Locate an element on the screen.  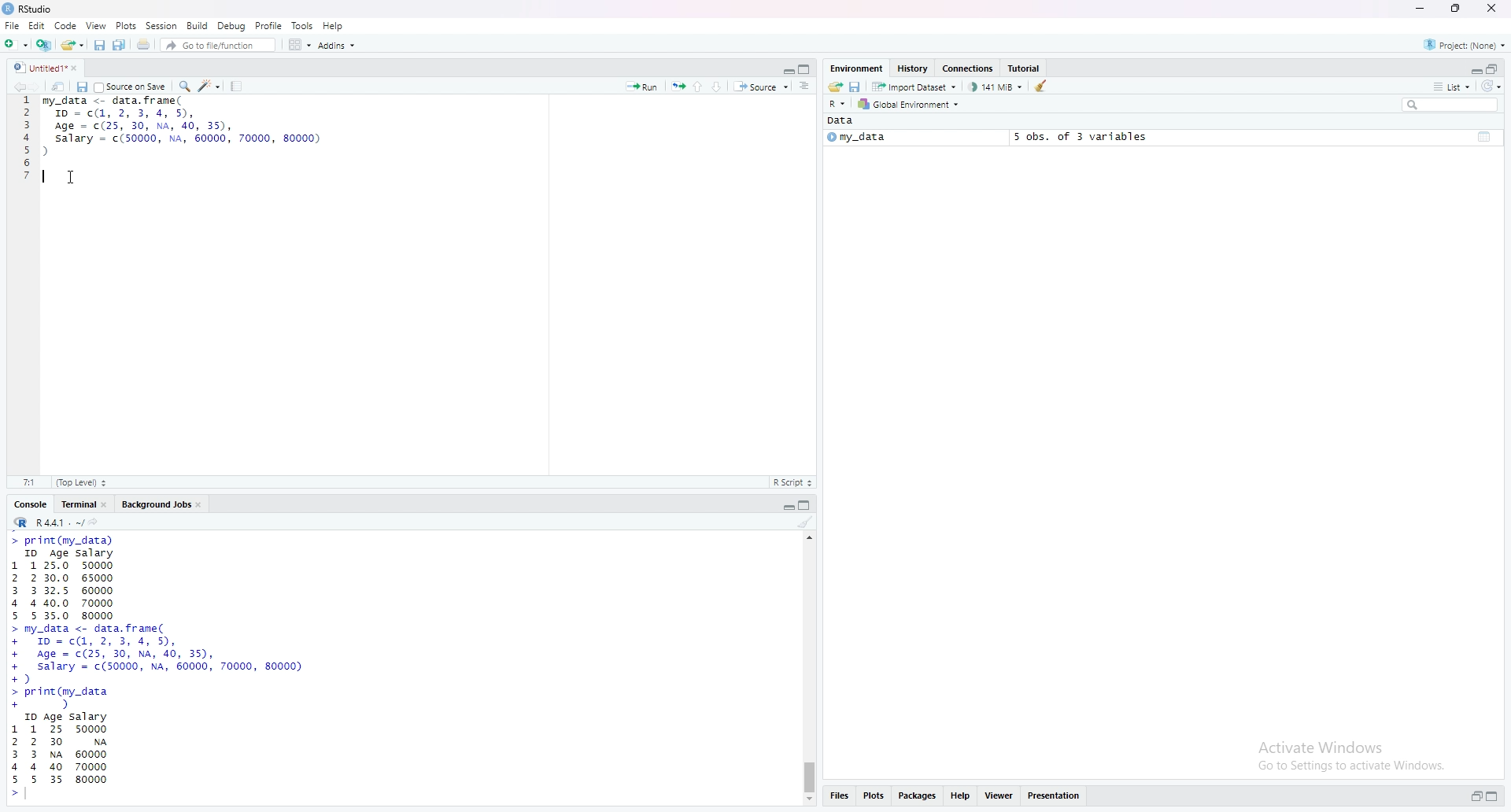
packages is located at coordinates (918, 795).